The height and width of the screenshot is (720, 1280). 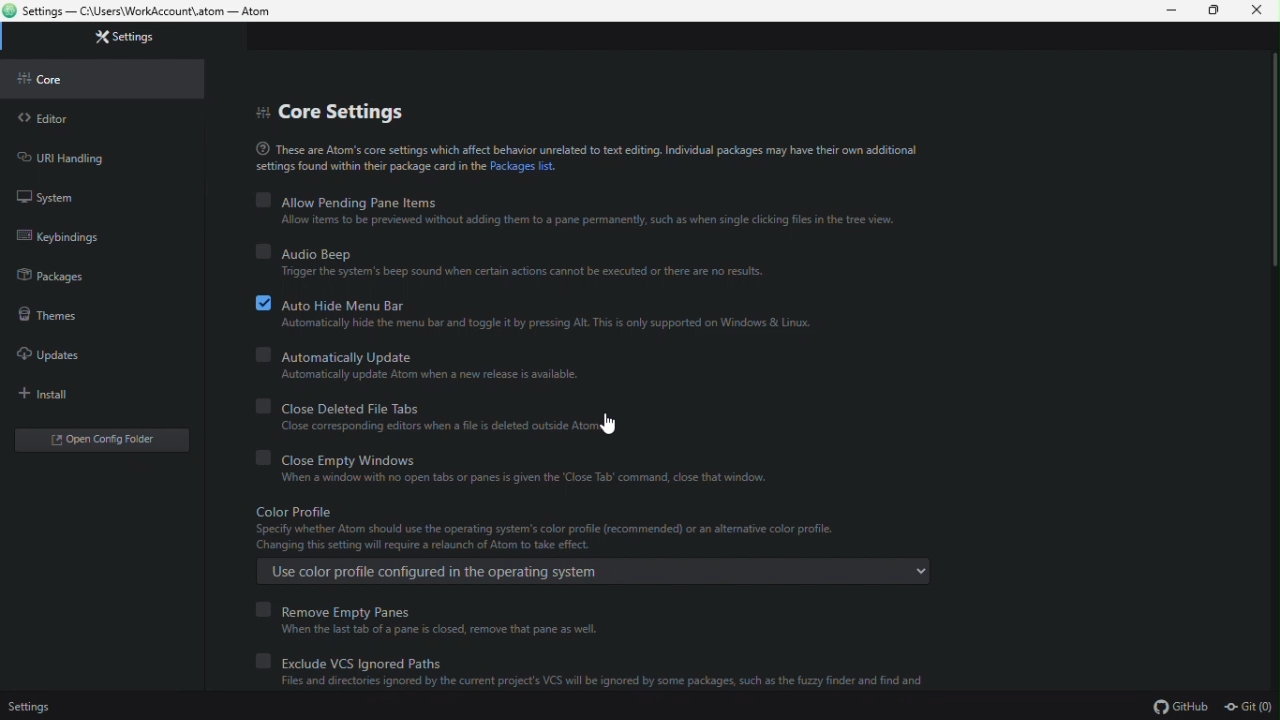 I want to click on Close Empty Windows, so click(x=333, y=457).